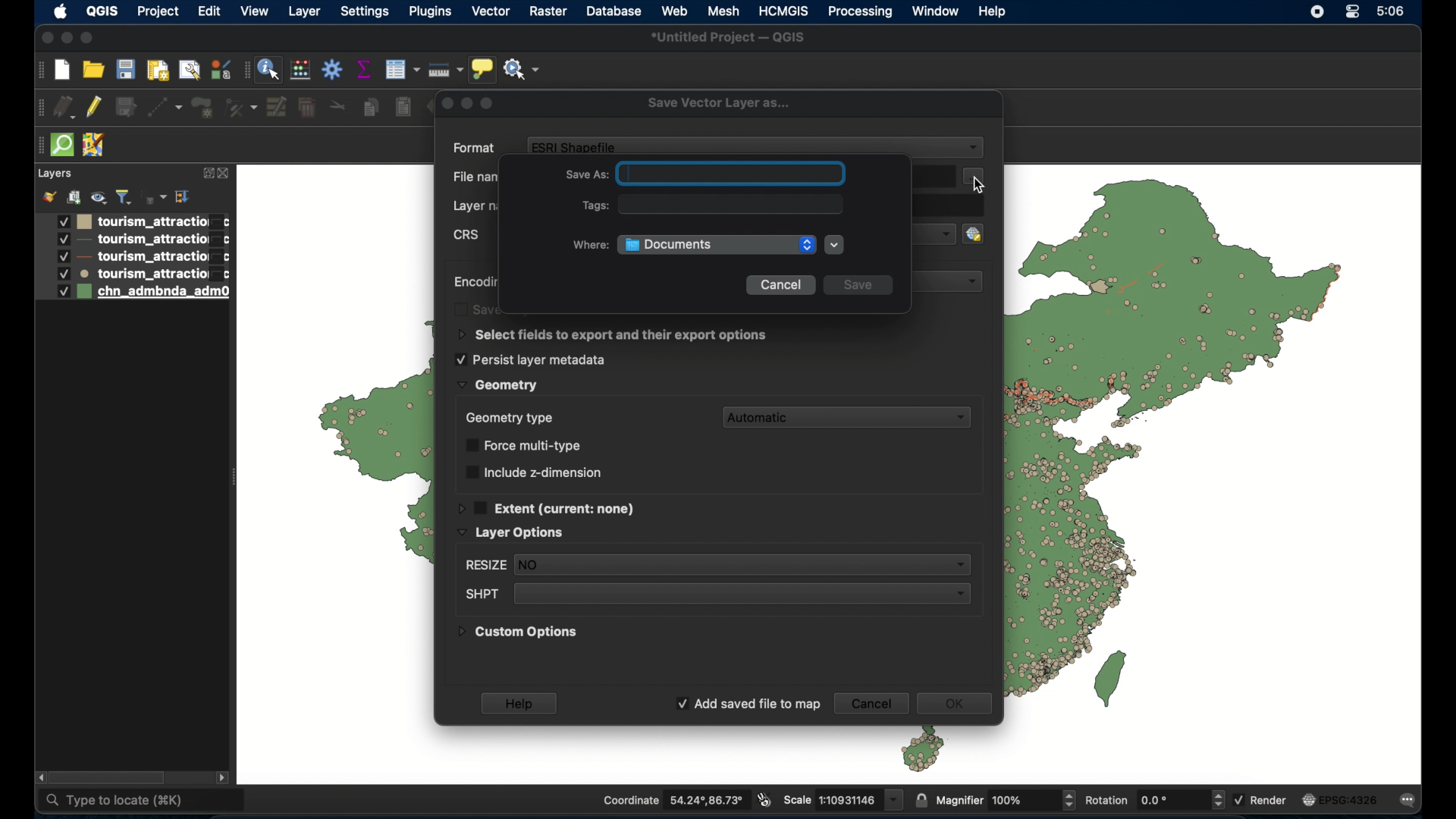 The image size is (1456, 819). I want to click on save as  field, so click(707, 174).